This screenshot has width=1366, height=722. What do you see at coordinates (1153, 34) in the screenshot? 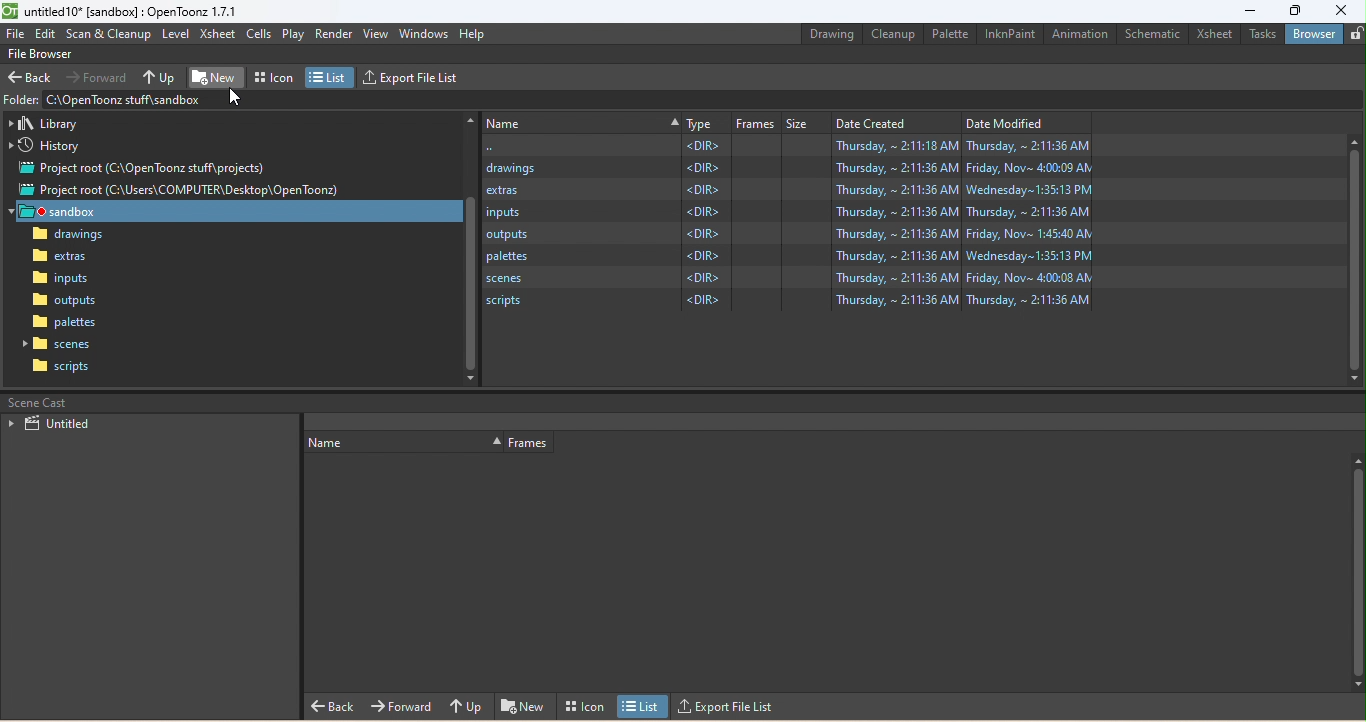
I see `Schematic` at bounding box center [1153, 34].